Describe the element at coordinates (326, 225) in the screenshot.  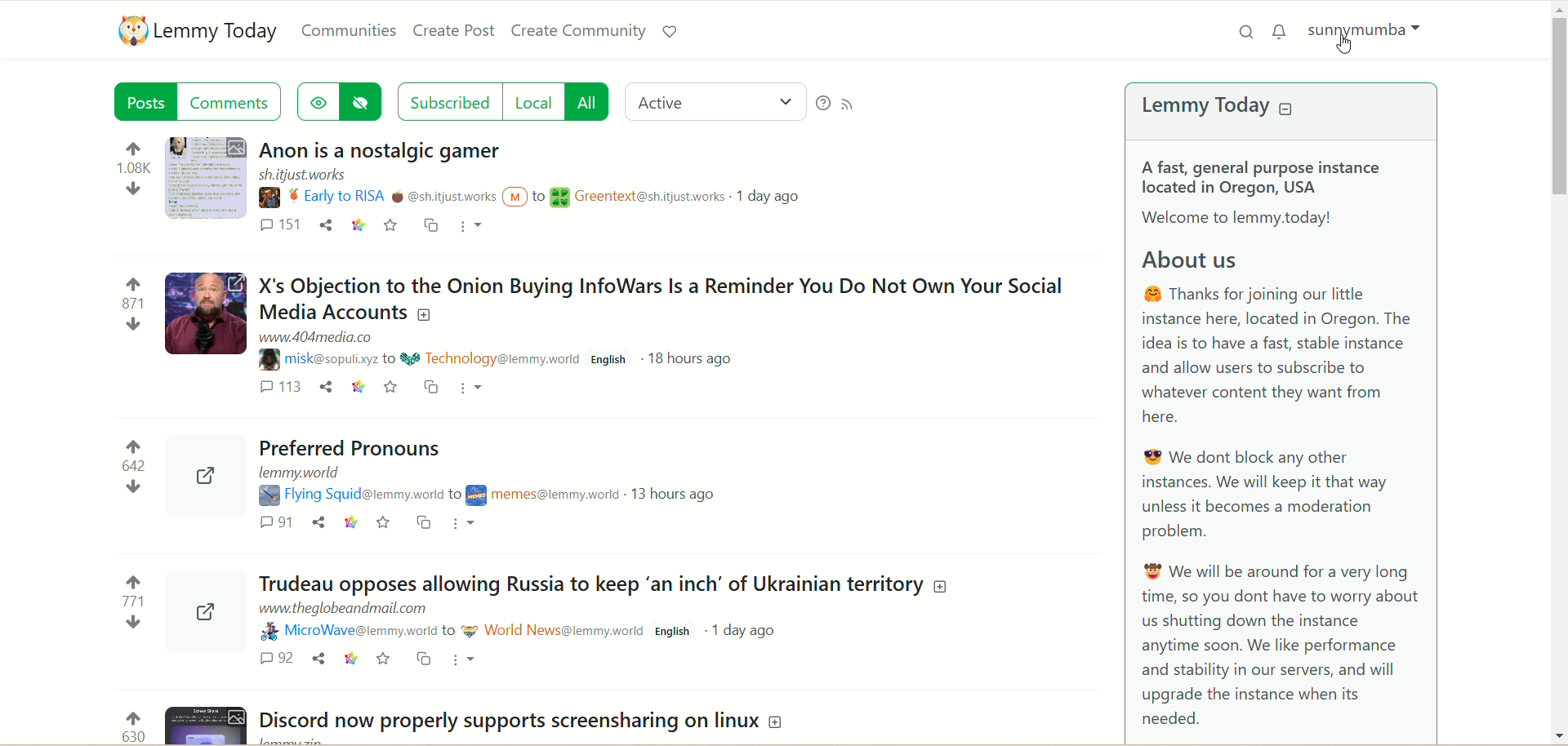
I see `share` at that location.